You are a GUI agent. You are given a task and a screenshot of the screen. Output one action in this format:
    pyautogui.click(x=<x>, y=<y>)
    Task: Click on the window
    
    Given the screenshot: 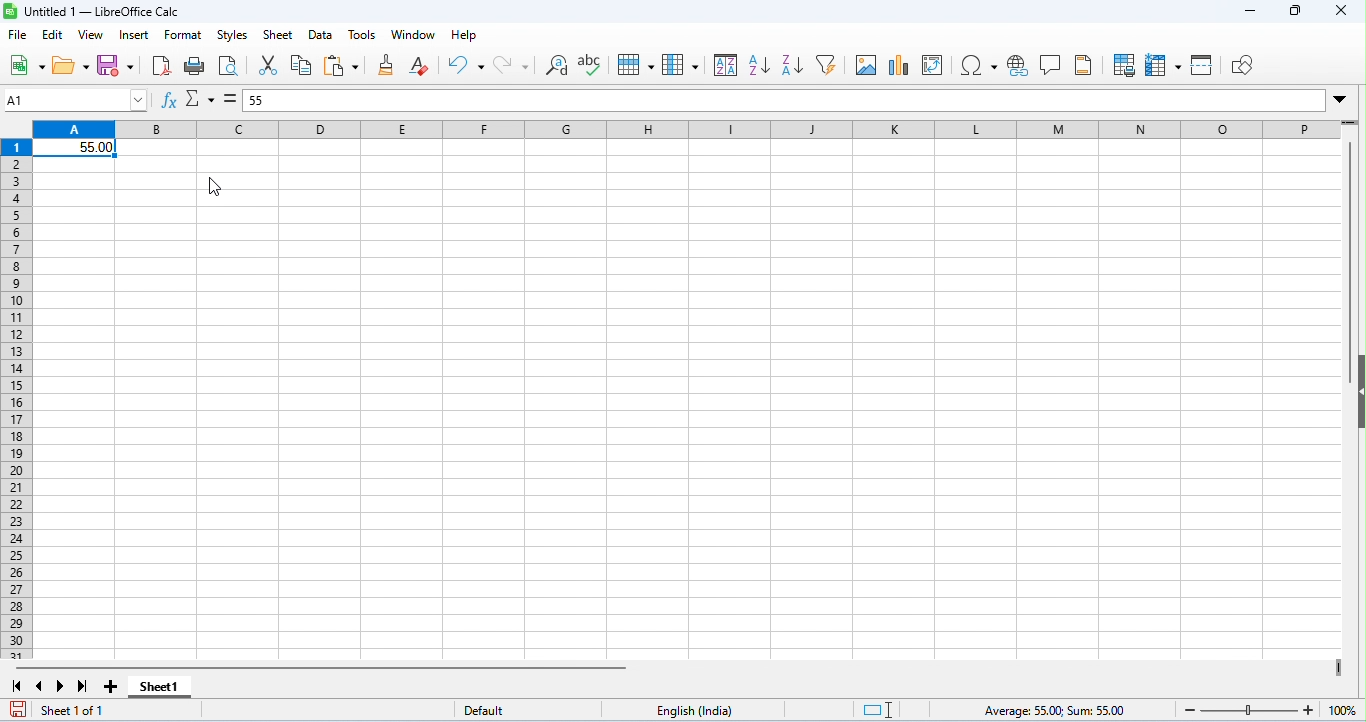 What is the action you would take?
    pyautogui.click(x=413, y=35)
    